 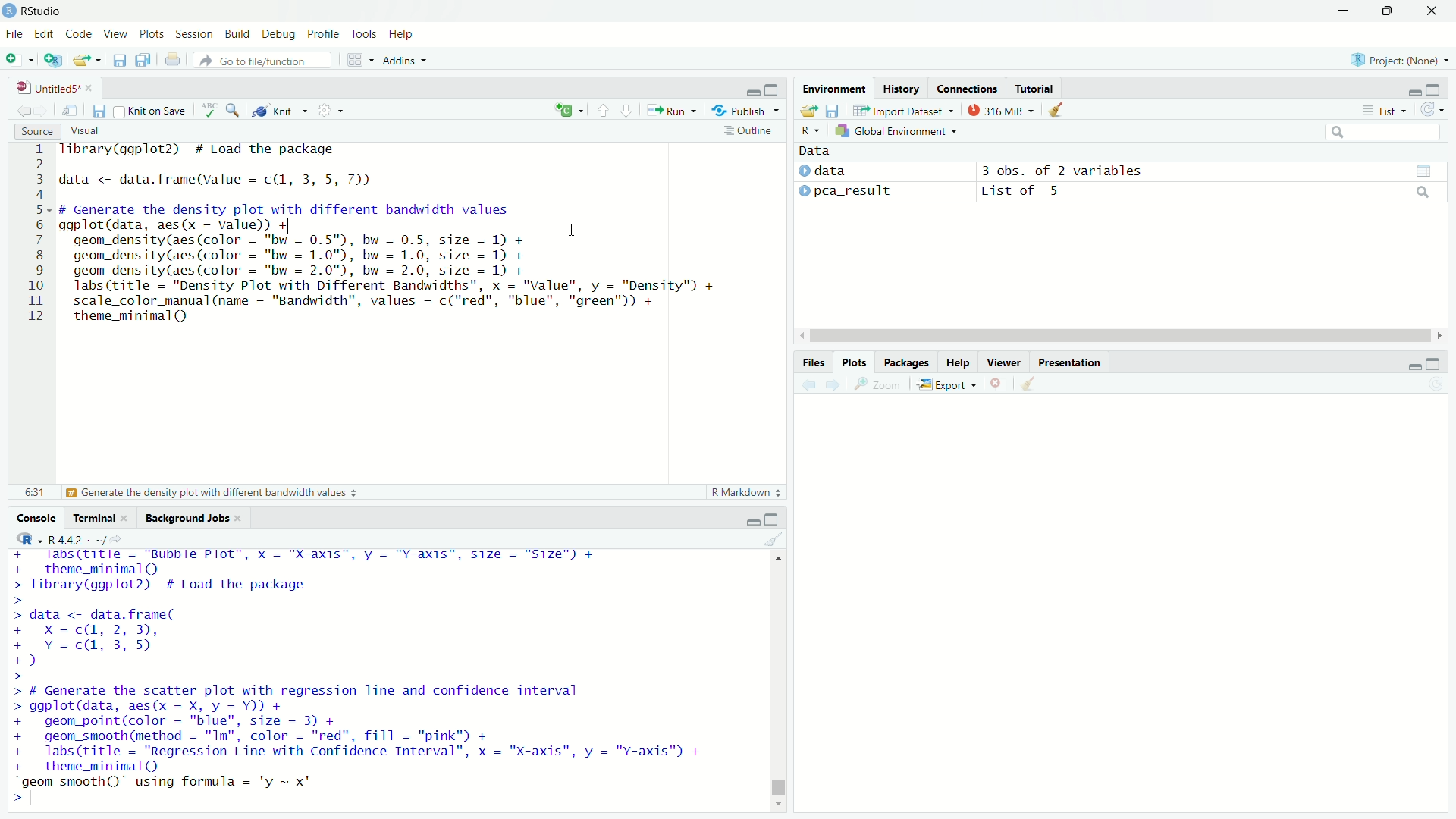 What do you see at coordinates (1424, 192) in the screenshot?
I see `search` at bounding box center [1424, 192].